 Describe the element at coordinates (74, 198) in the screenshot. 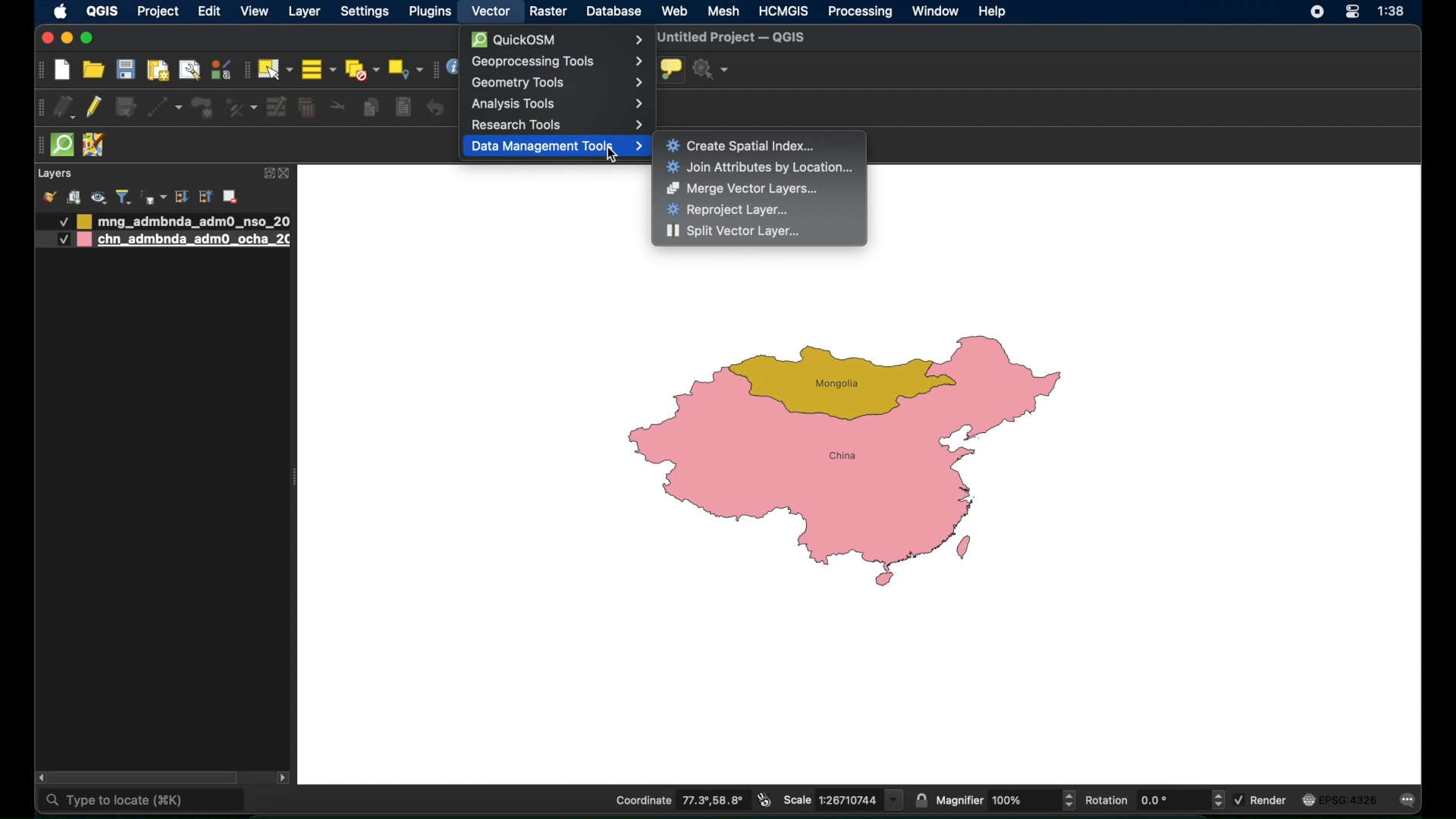

I see `add group` at that location.